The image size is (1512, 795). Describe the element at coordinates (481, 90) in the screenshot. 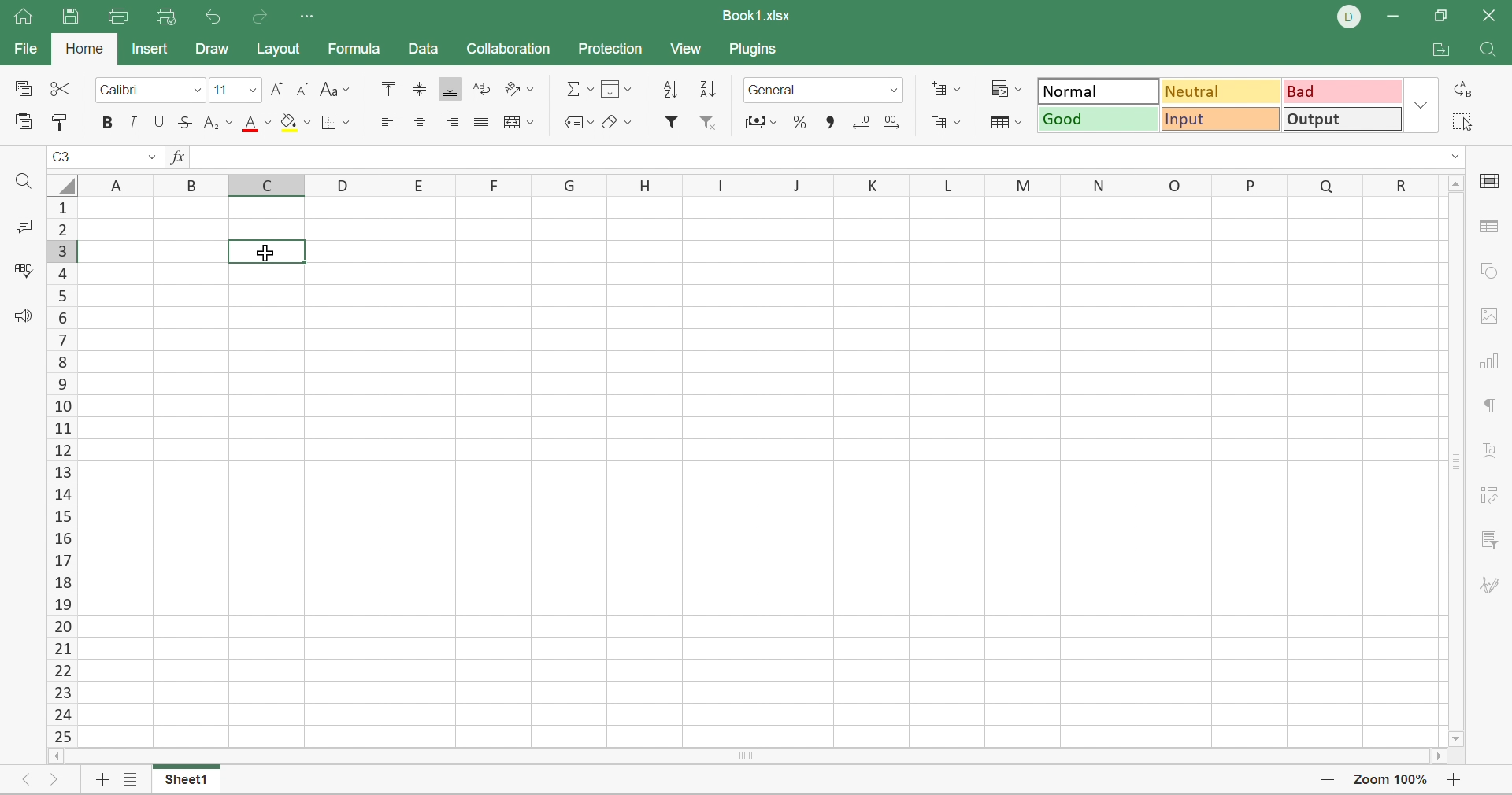

I see `Wrap Text` at that location.